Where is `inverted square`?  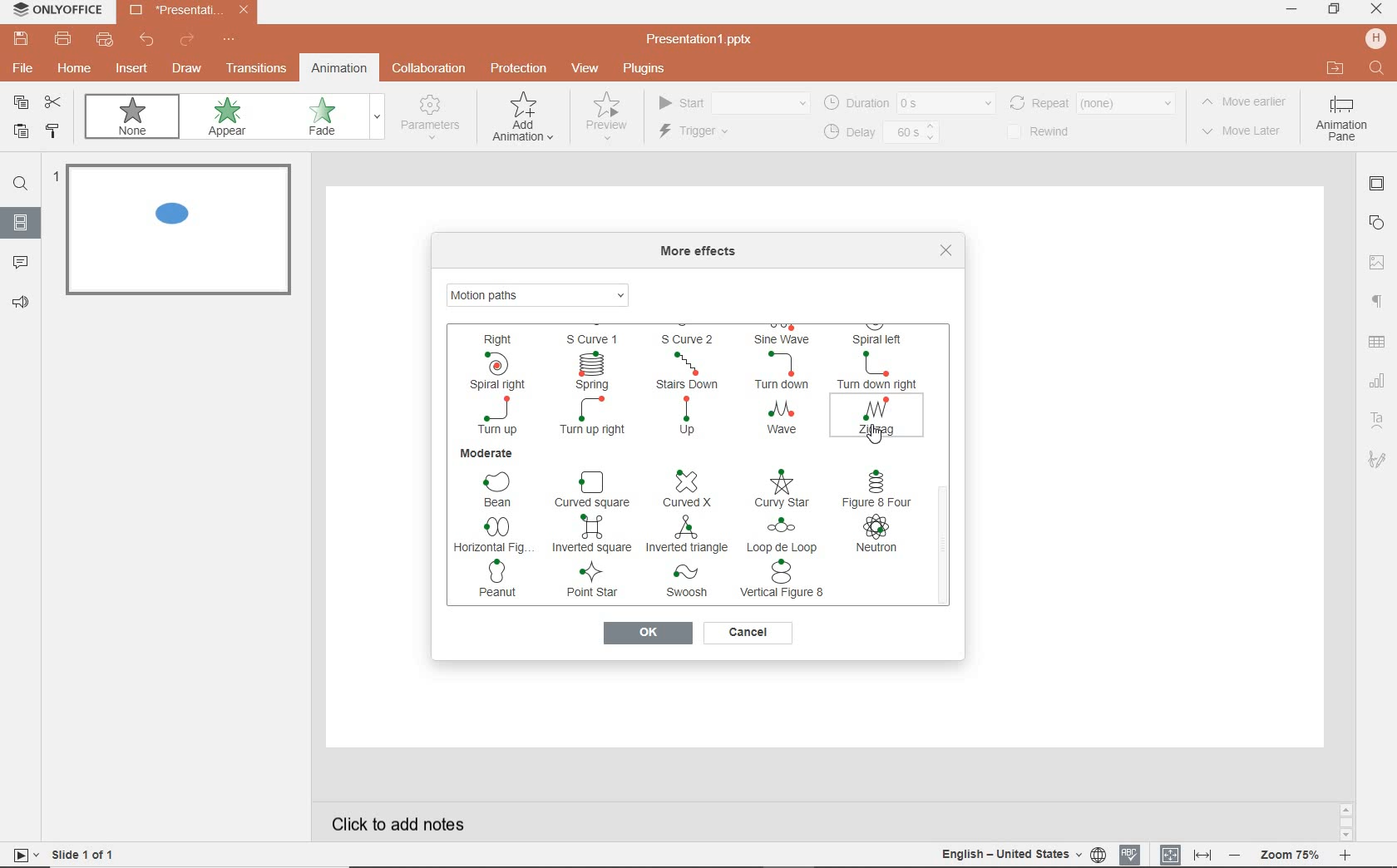 inverted square is located at coordinates (592, 532).